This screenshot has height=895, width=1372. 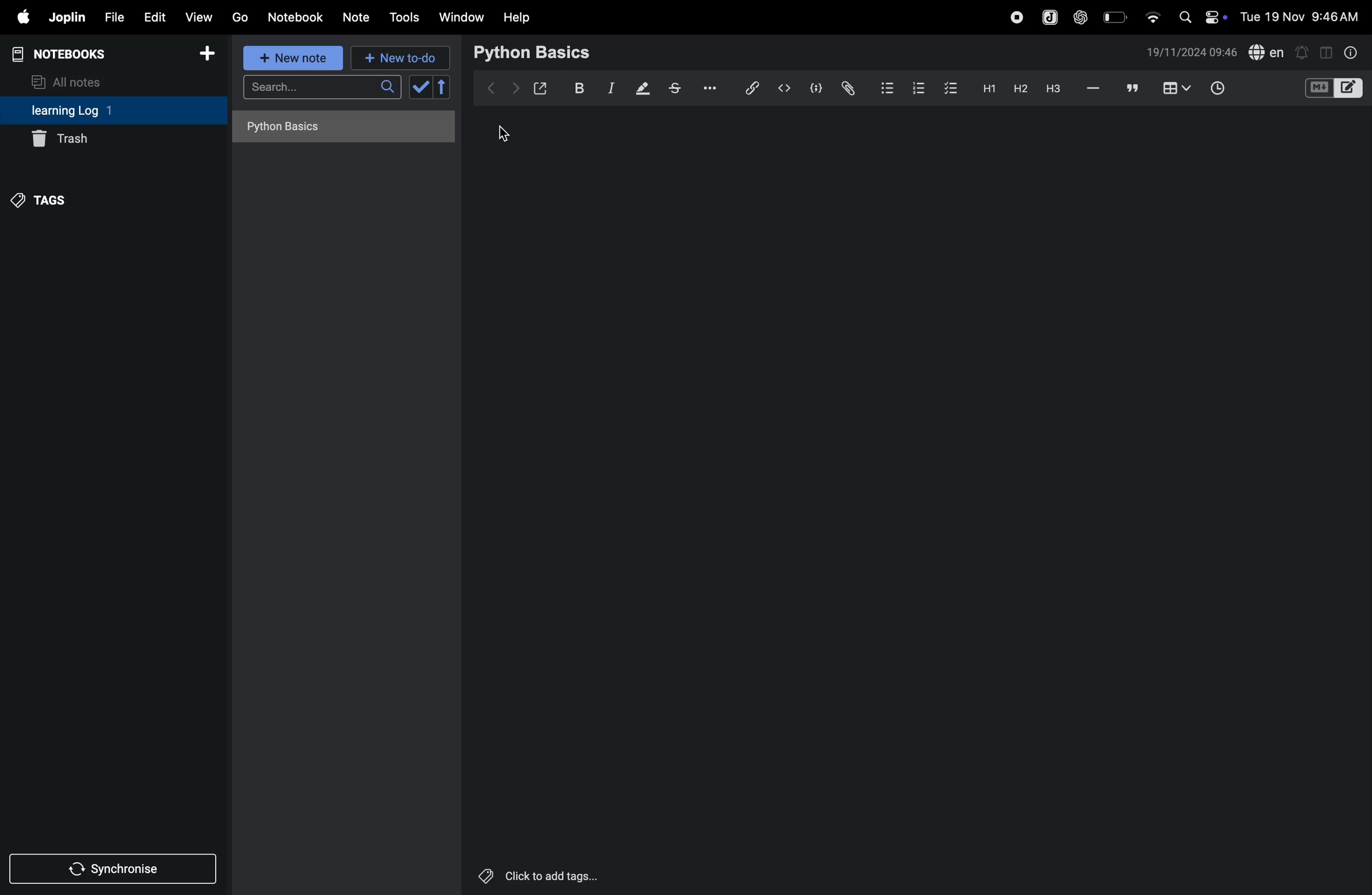 I want to click on open, so click(x=541, y=88).